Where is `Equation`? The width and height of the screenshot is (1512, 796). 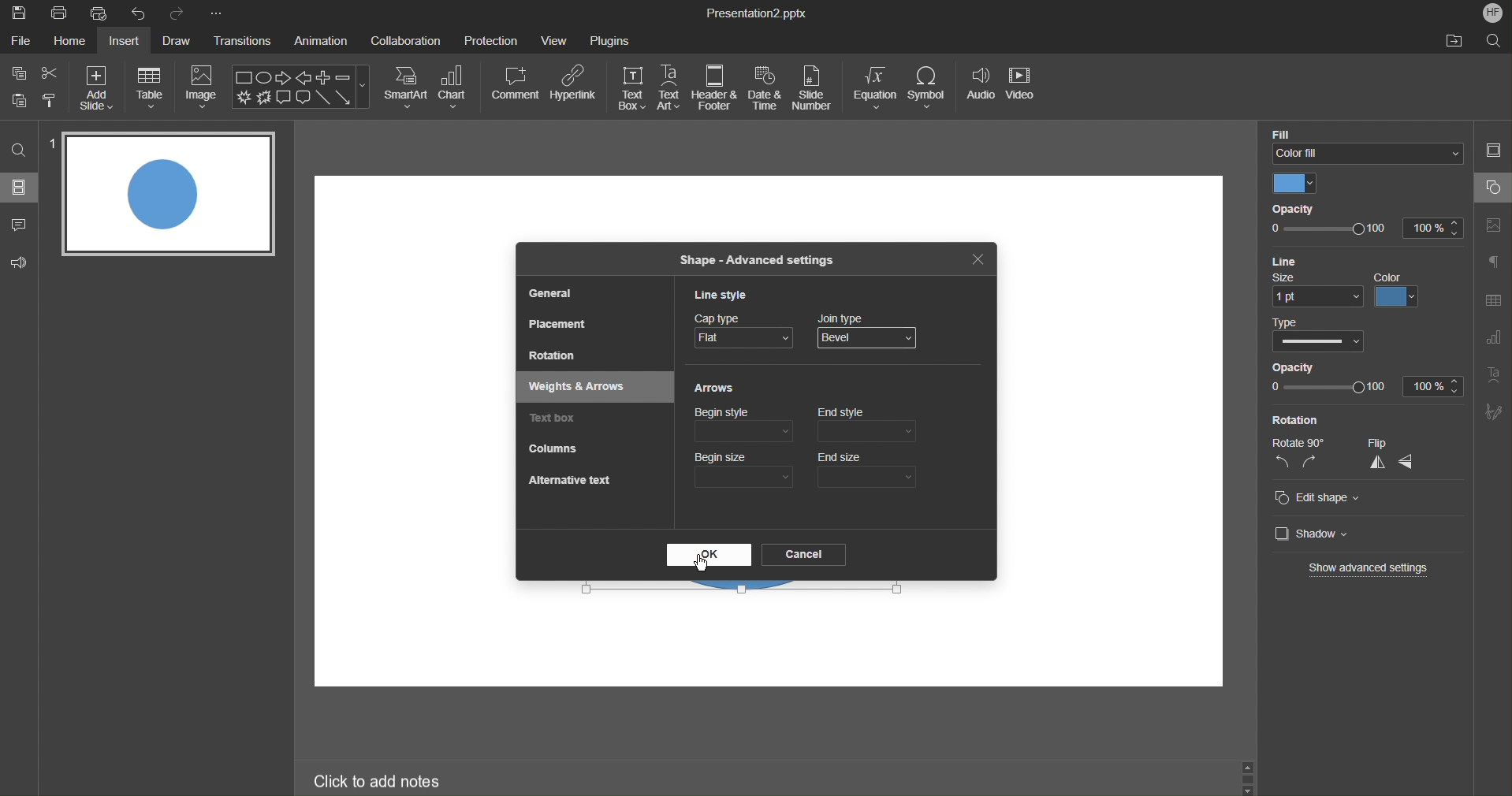 Equation is located at coordinates (875, 88).